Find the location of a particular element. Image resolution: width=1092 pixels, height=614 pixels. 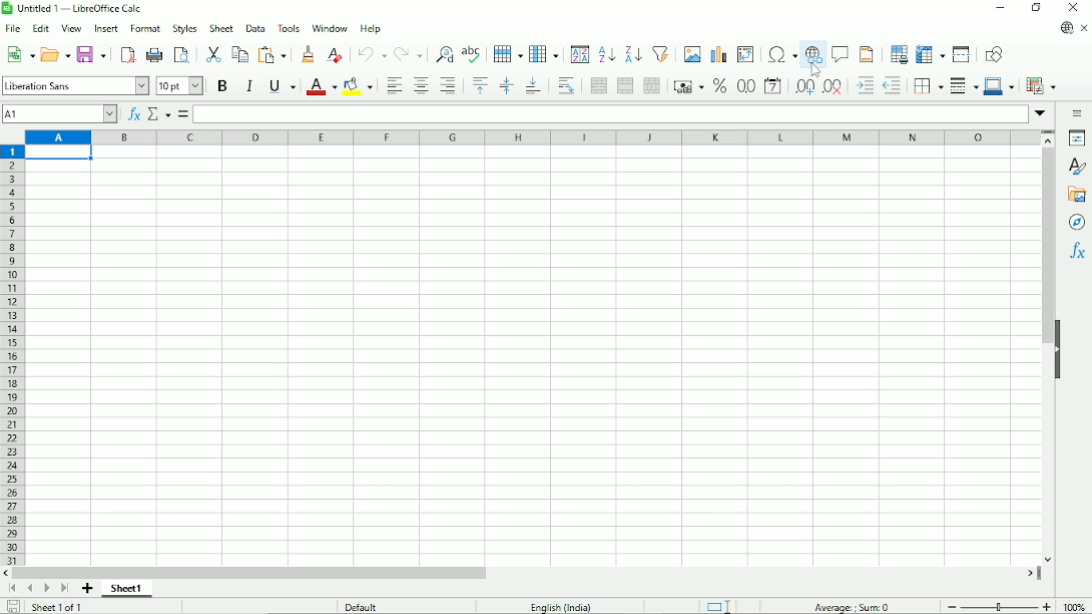

data is located at coordinates (255, 28).